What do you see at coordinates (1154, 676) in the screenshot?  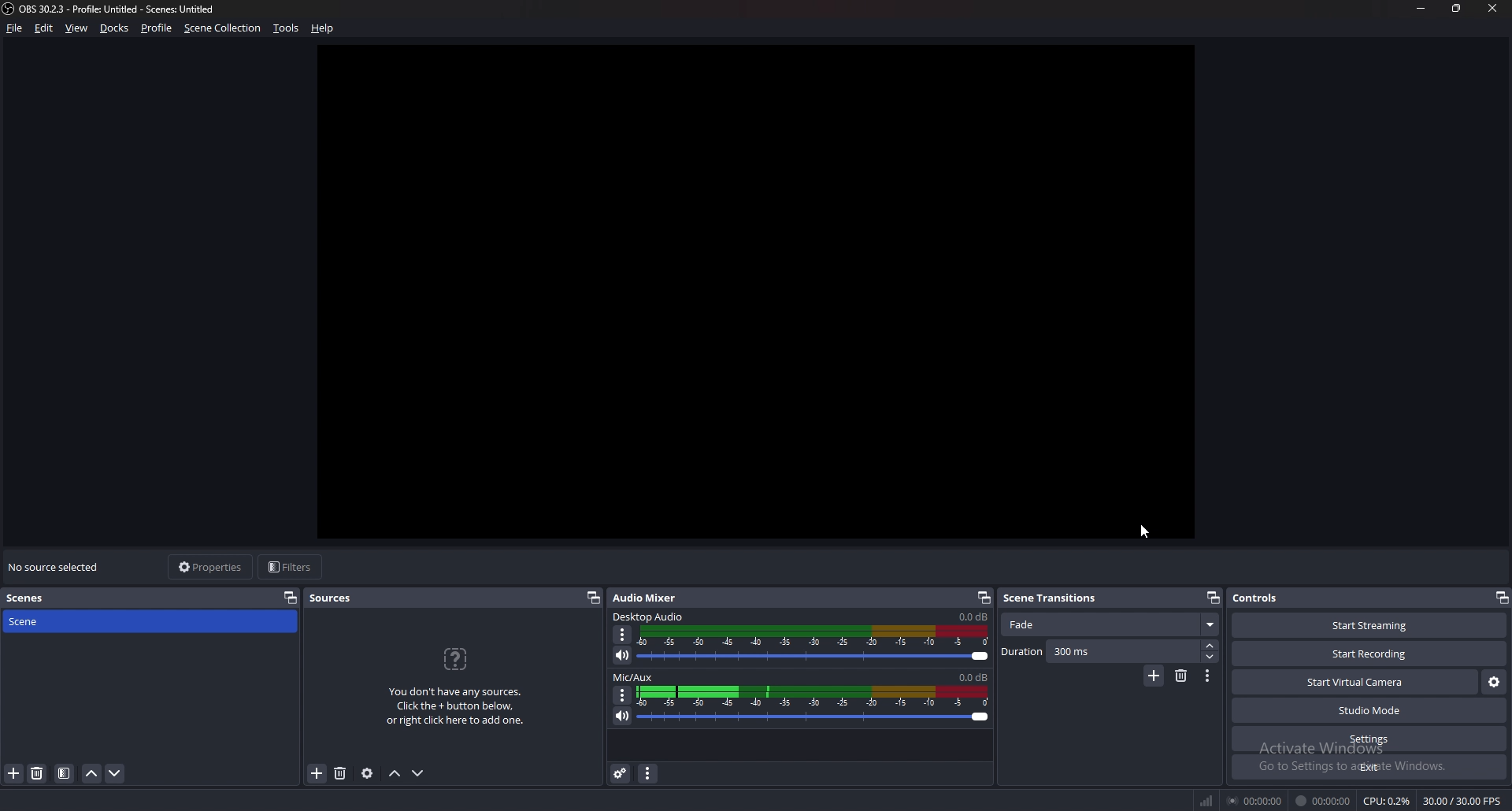 I see `add scene` at bounding box center [1154, 676].